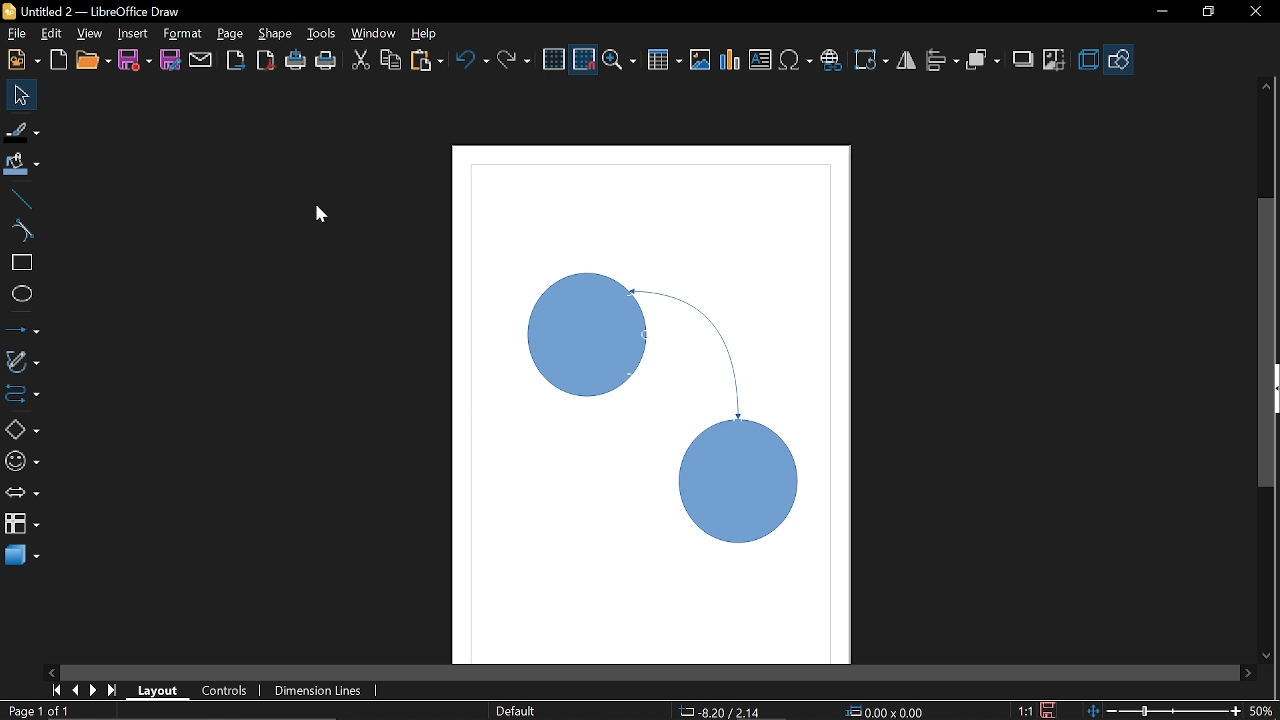  Describe the element at coordinates (622, 59) in the screenshot. I see `Zoom` at that location.